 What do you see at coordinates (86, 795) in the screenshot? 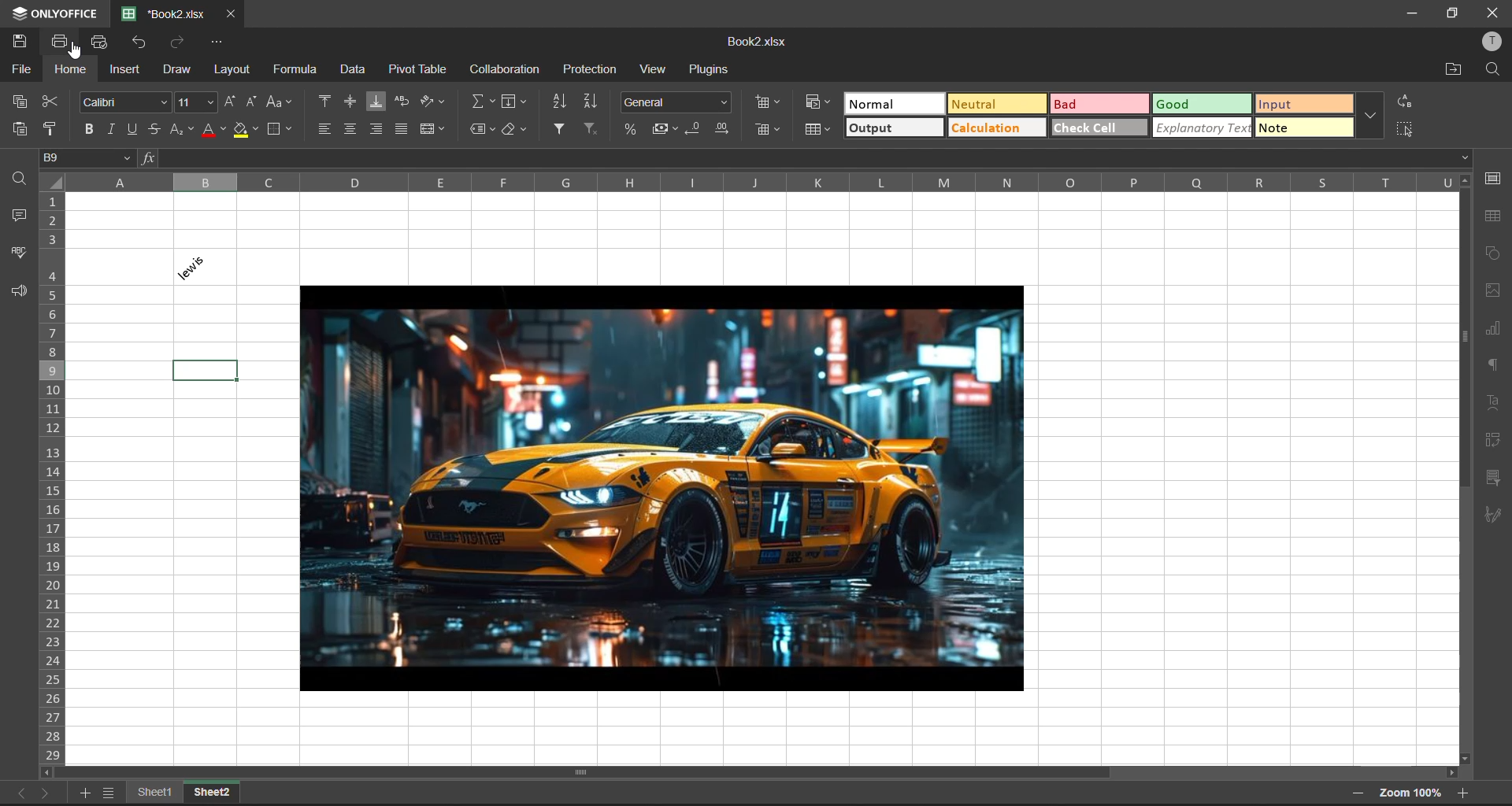
I see `add sheet` at bounding box center [86, 795].